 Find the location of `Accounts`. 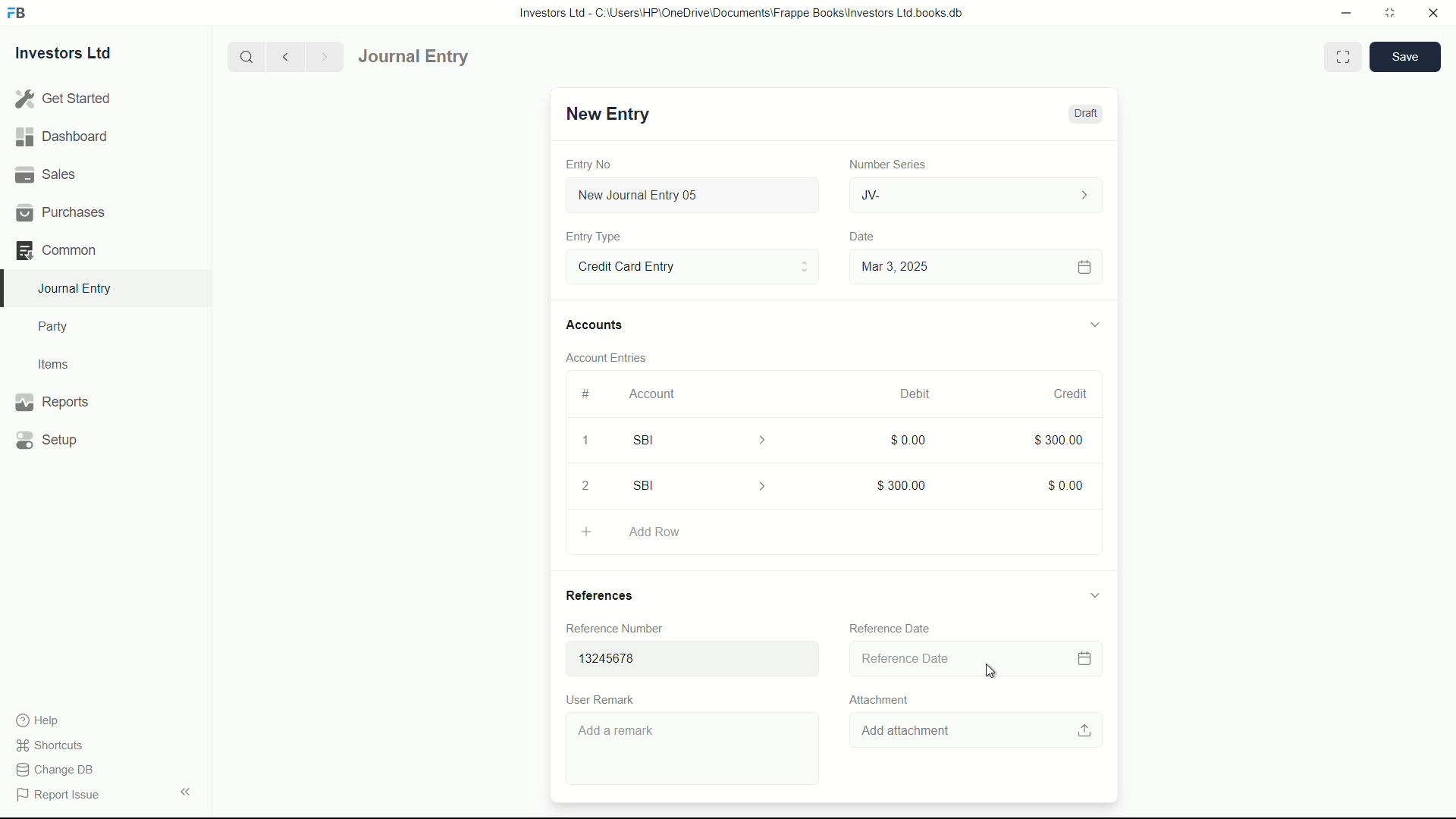

Accounts is located at coordinates (598, 325).